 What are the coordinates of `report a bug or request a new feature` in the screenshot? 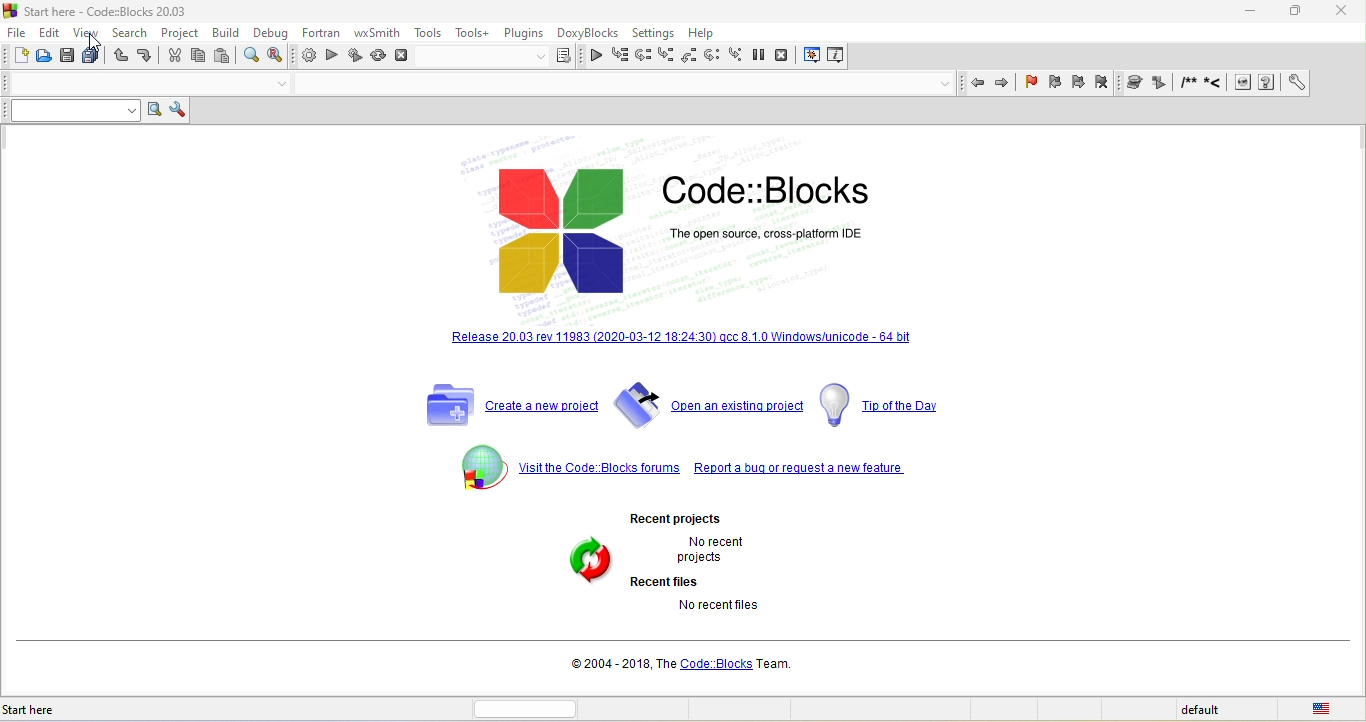 It's located at (802, 472).